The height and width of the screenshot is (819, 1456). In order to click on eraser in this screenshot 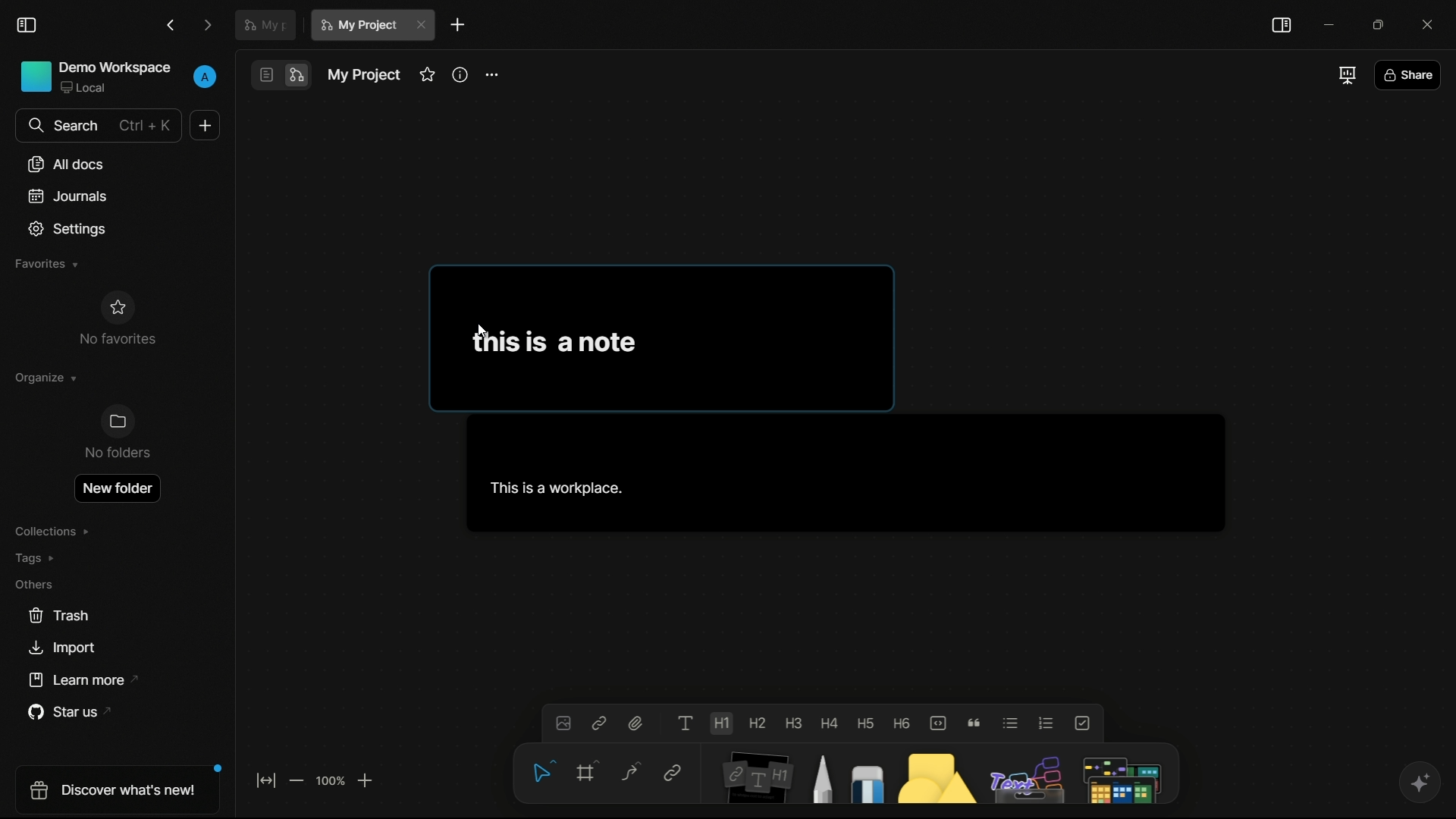, I will do `click(863, 773)`.